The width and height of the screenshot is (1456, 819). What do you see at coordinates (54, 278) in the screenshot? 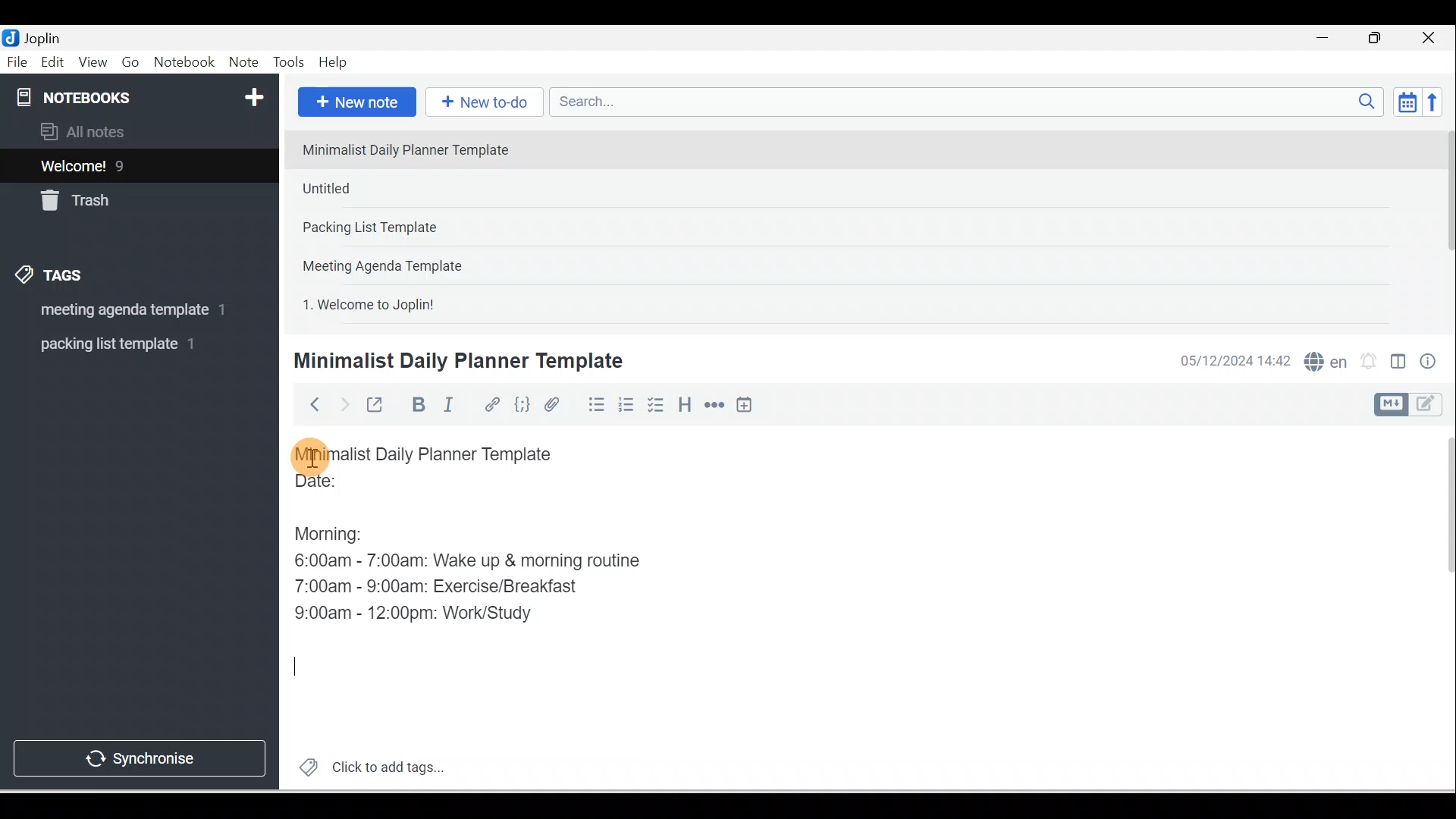
I see `Tags` at bounding box center [54, 278].